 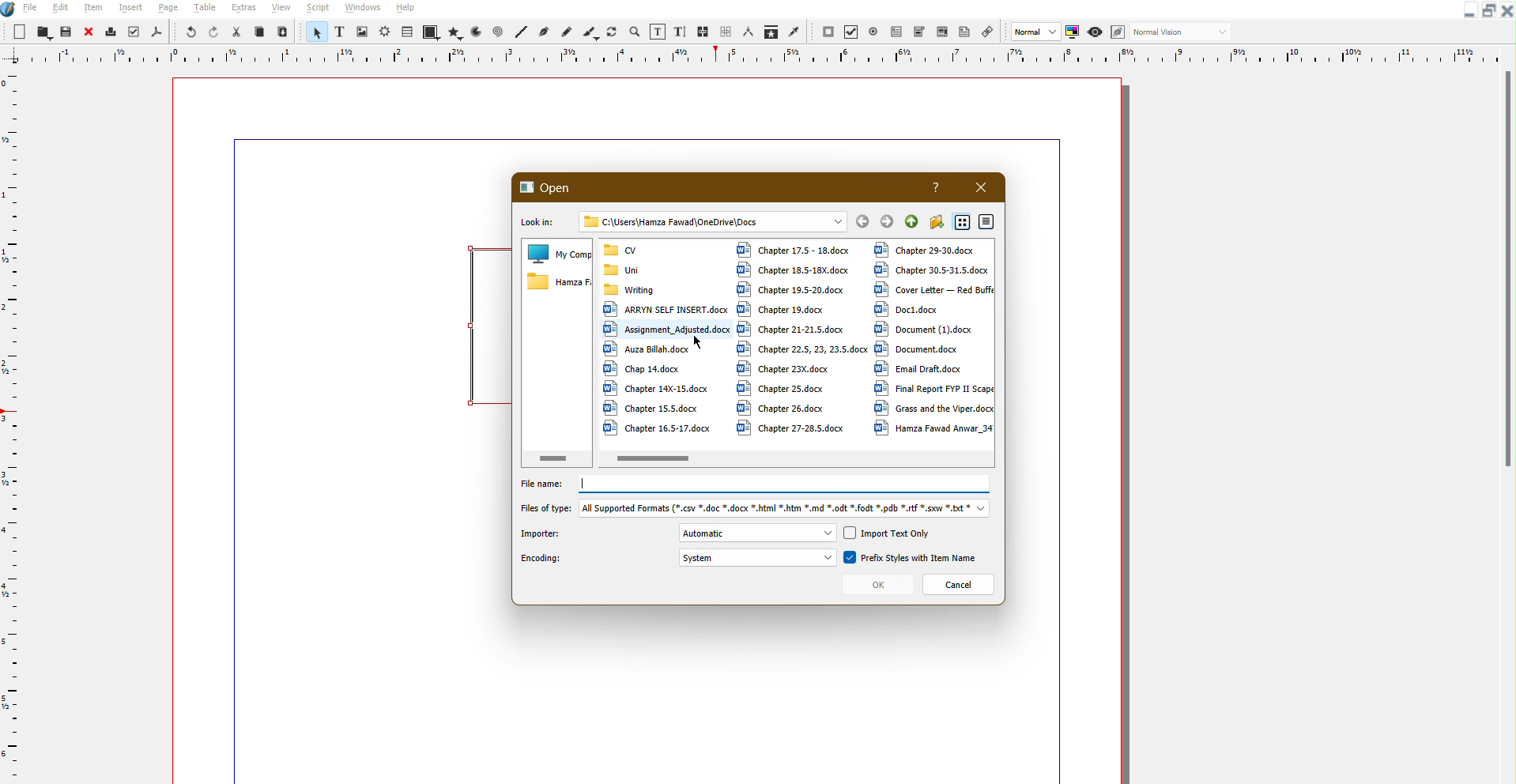 I want to click on Copy, so click(x=259, y=32).